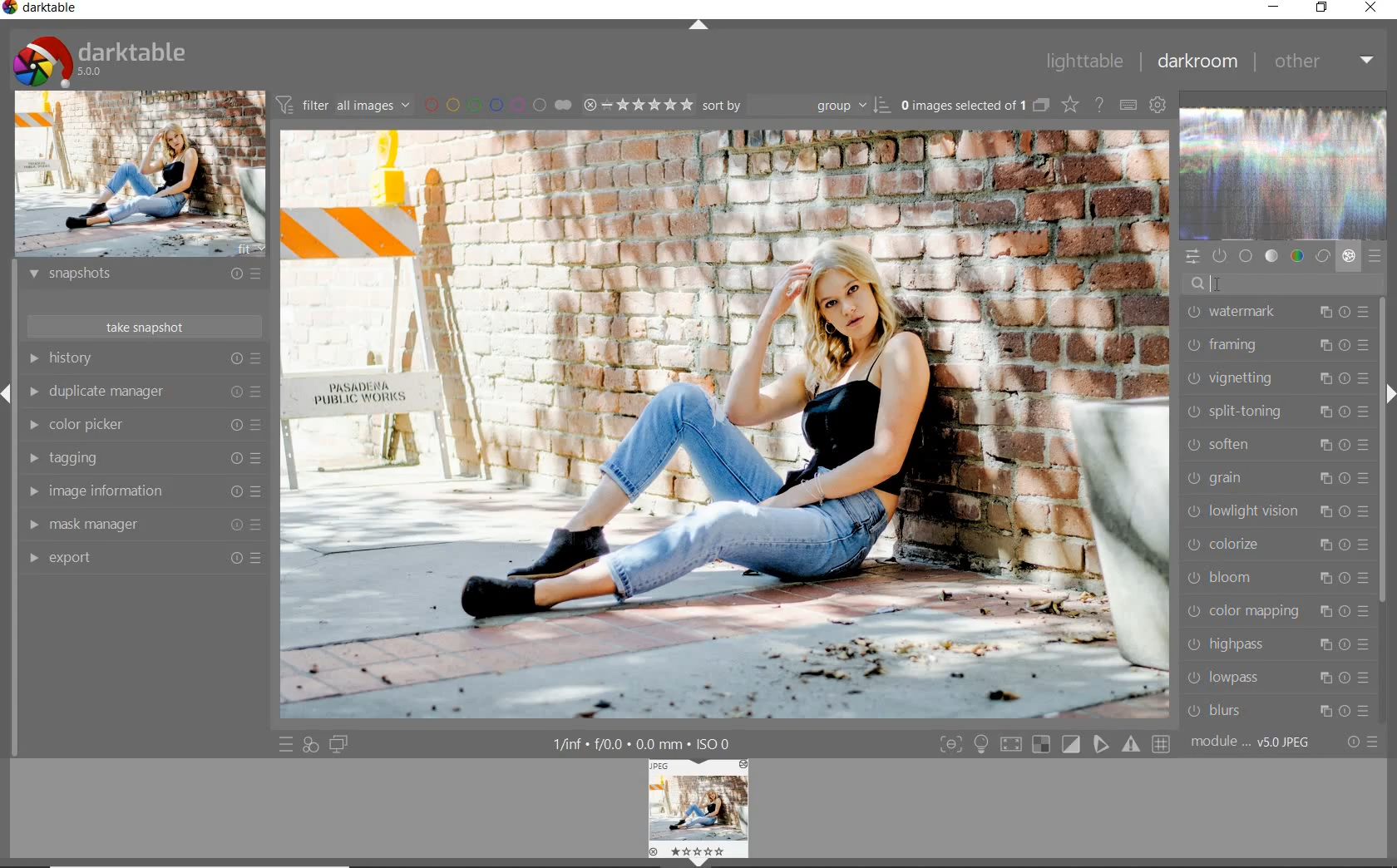 This screenshot has width=1397, height=868. Describe the element at coordinates (637, 106) in the screenshot. I see `range rating of selected images` at that location.